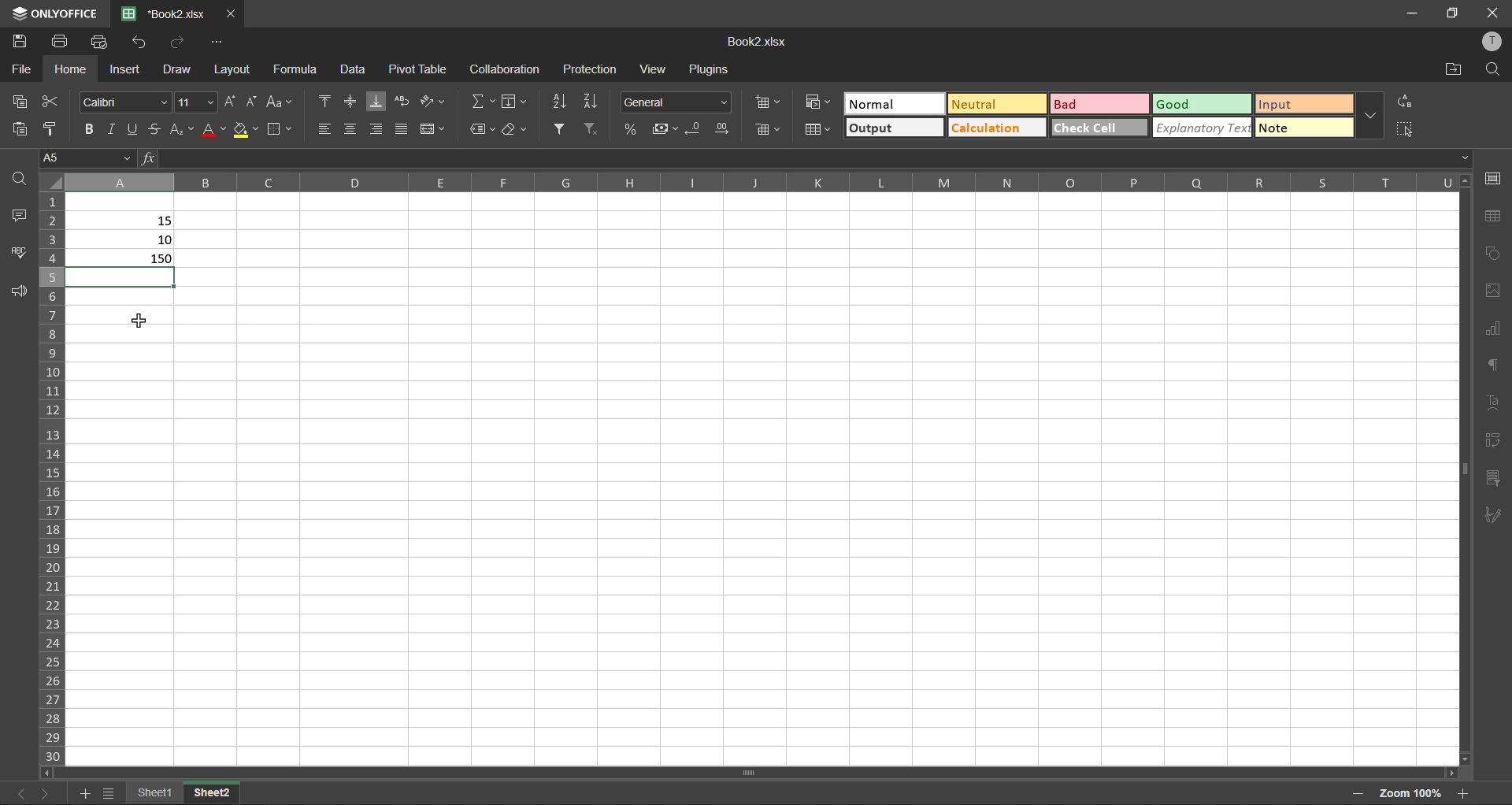 The width and height of the screenshot is (1512, 805). Describe the element at coordinates (762, 43) in the screenshot. I see `book2.xlsx` at that location.